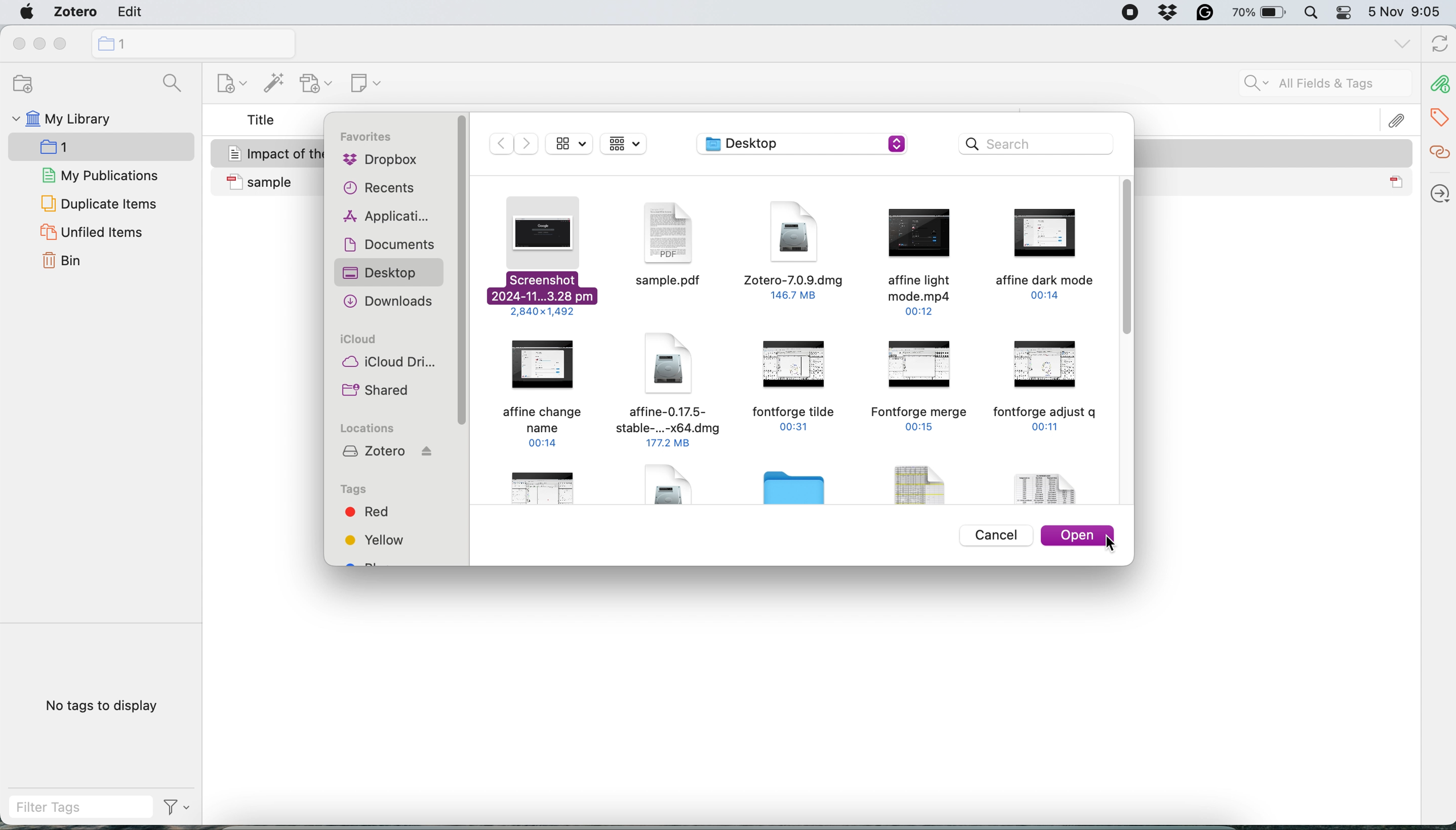 The width and height of the screenshot is (1456, 830). Describe the element at coordinates (1255, 12) in the screenshot. I see `battery` at that location.